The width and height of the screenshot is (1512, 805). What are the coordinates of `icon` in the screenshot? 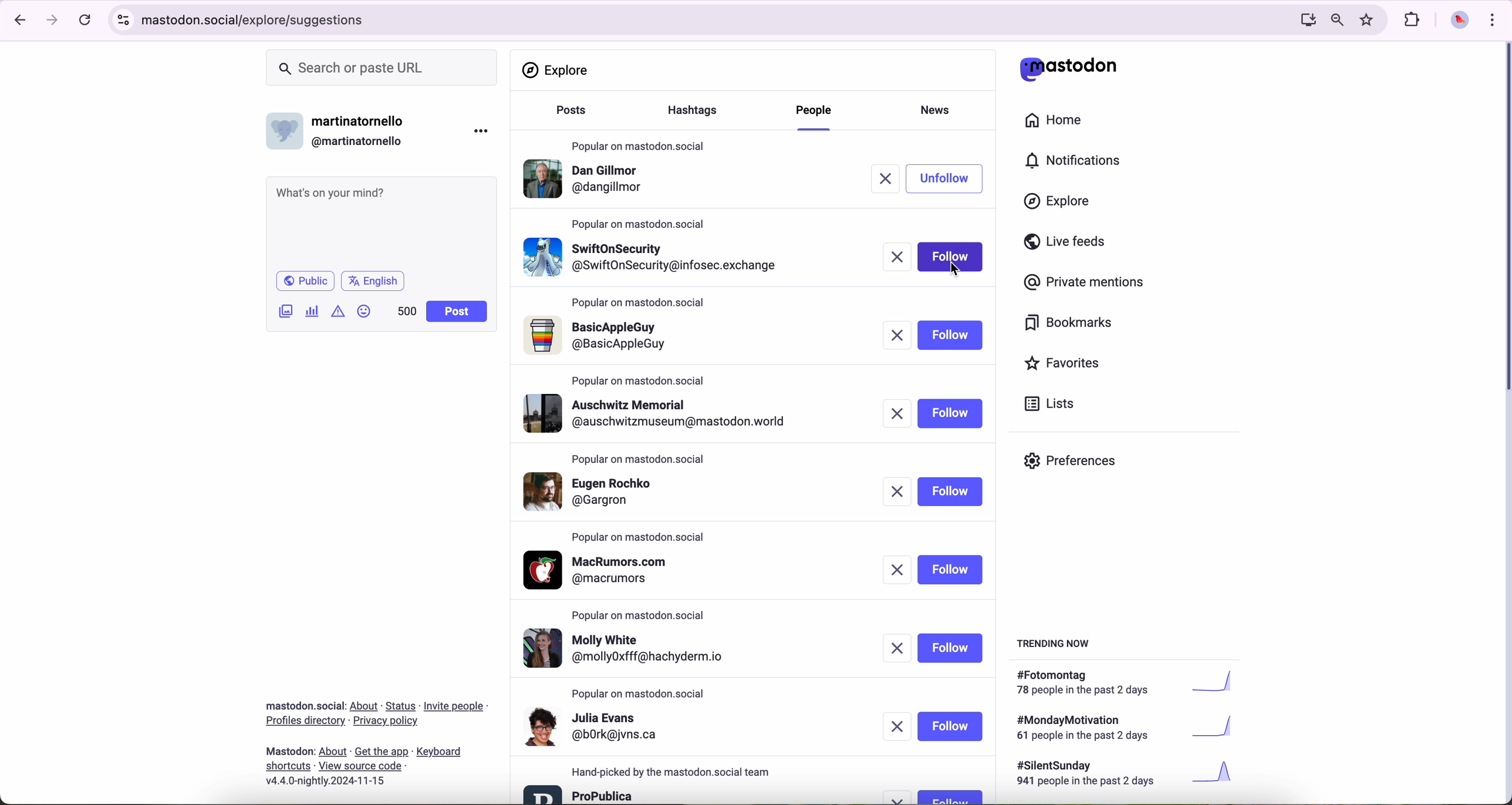 It's located at (339, 311).